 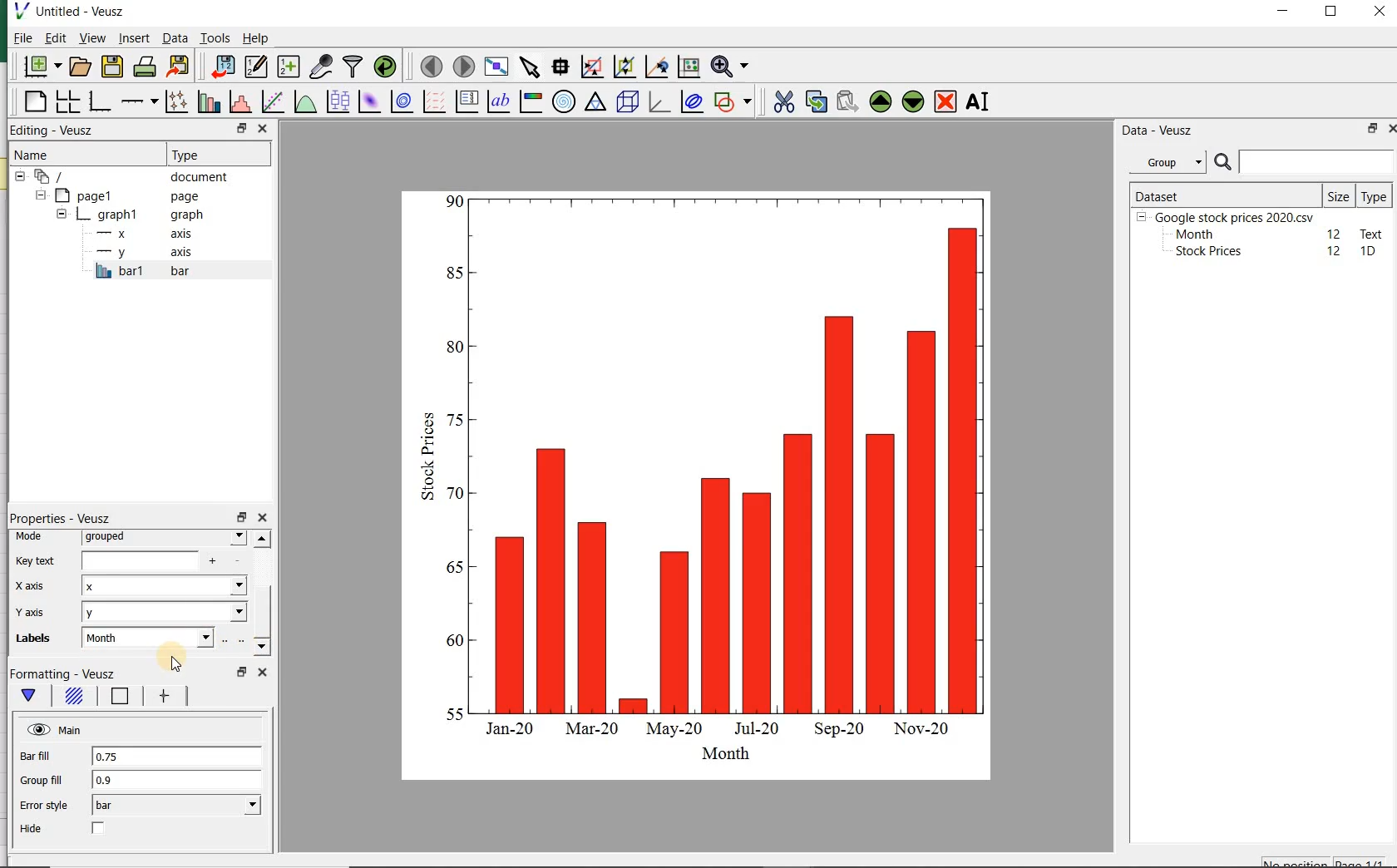 I want to click on Editing - Veusz, so click(x=54, y=131).